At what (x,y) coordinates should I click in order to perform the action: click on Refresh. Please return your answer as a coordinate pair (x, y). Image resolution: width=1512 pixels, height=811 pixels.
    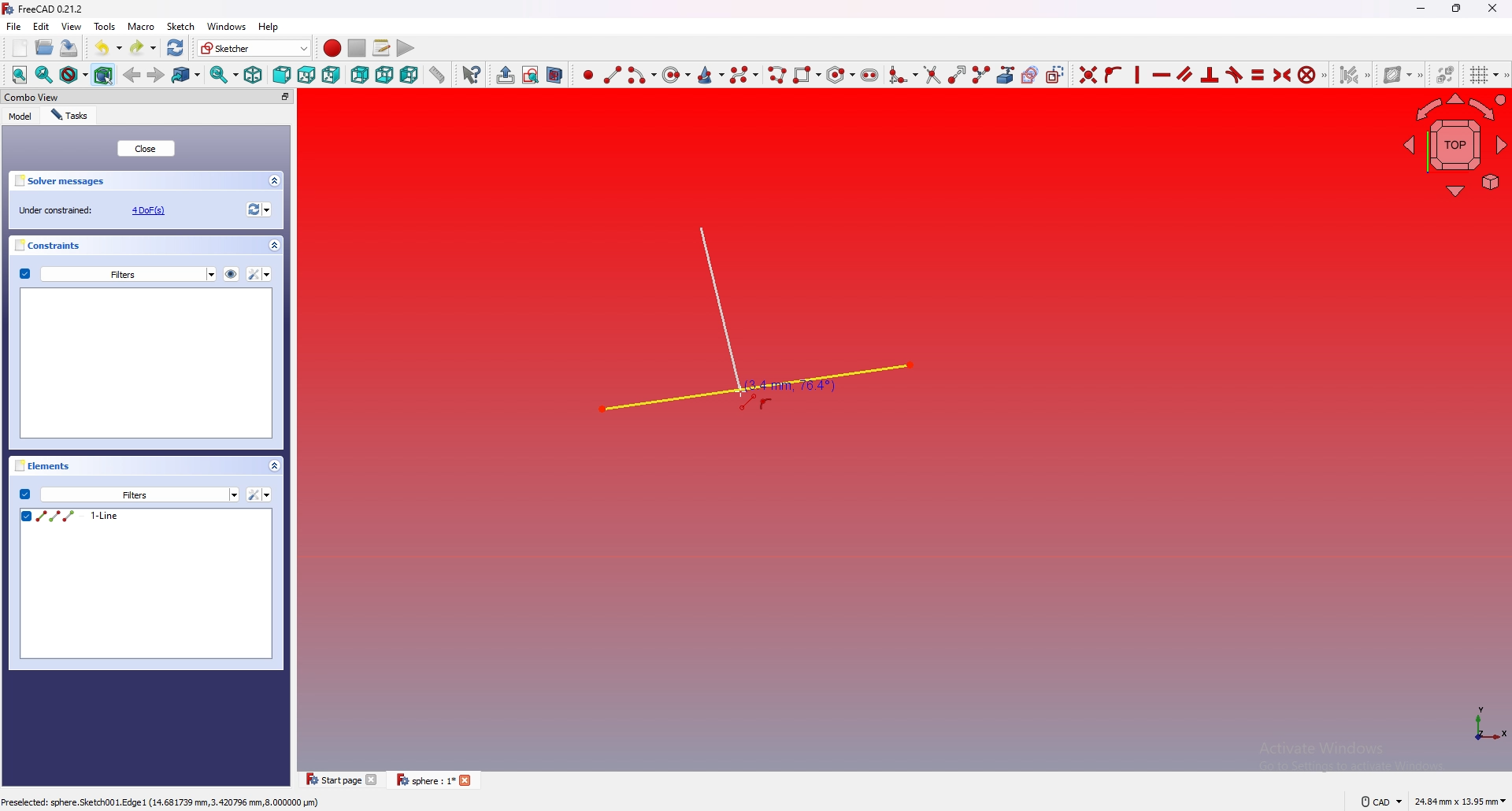
    Looking at the image, I should click on (176, 46).